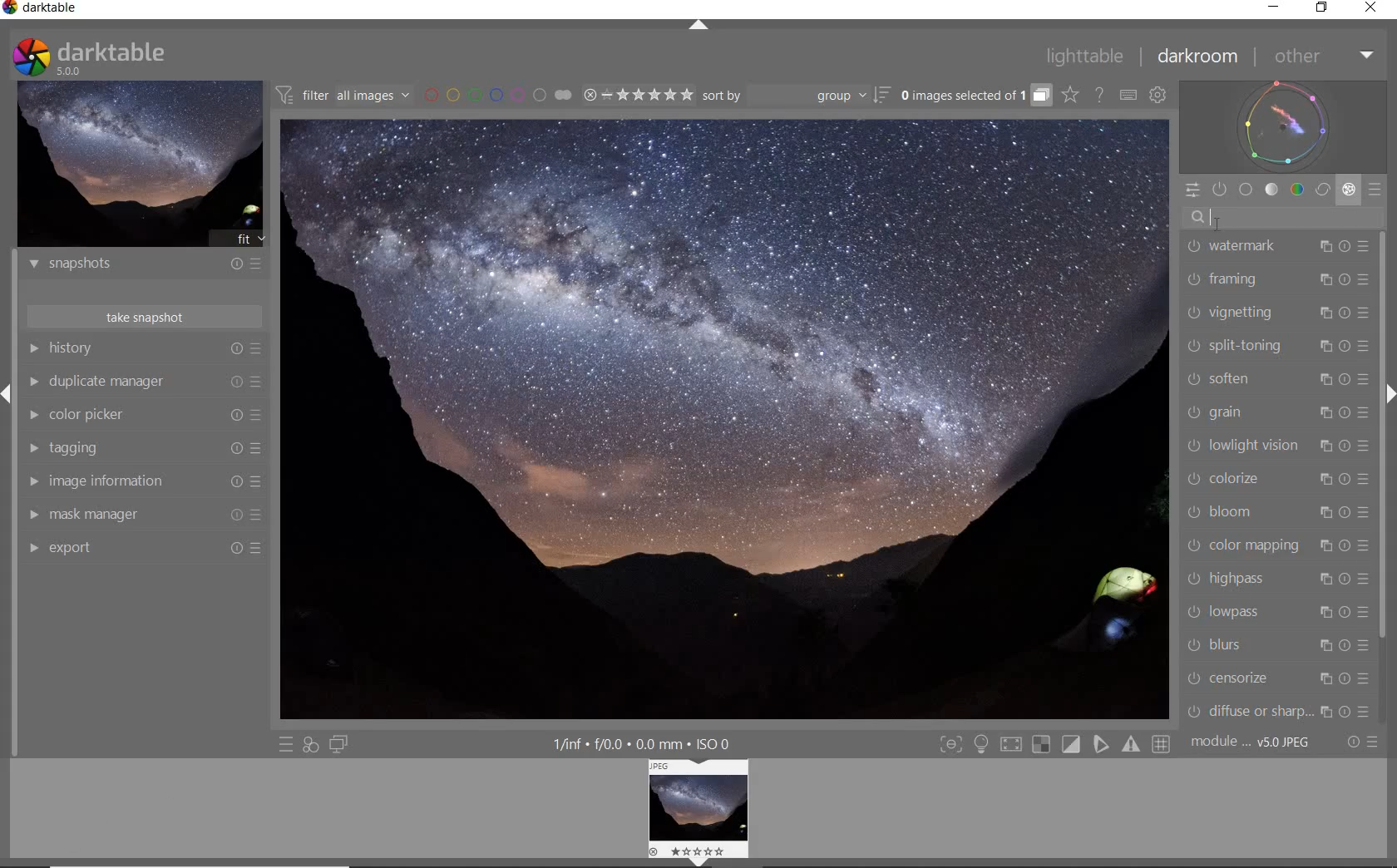 The height and width of the screenshot is (868, 1397). What do you see at coordinates (1242, 445) in the screenshot?
I see `LOWLIGHT VISON` at bounding box center [1242, 445].